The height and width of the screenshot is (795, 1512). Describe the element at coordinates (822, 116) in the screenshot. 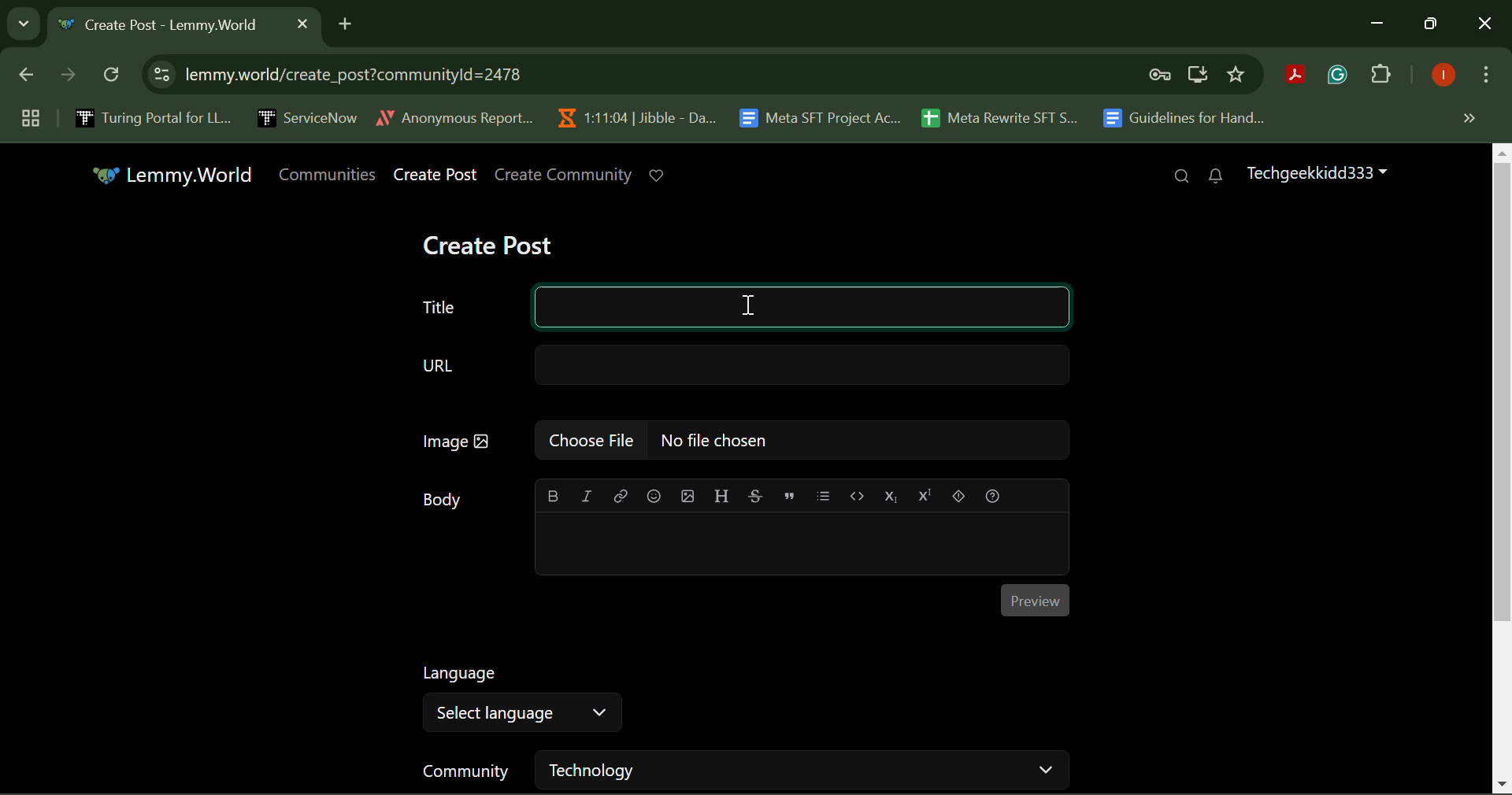

I see `Meta SFT Project` at that location.